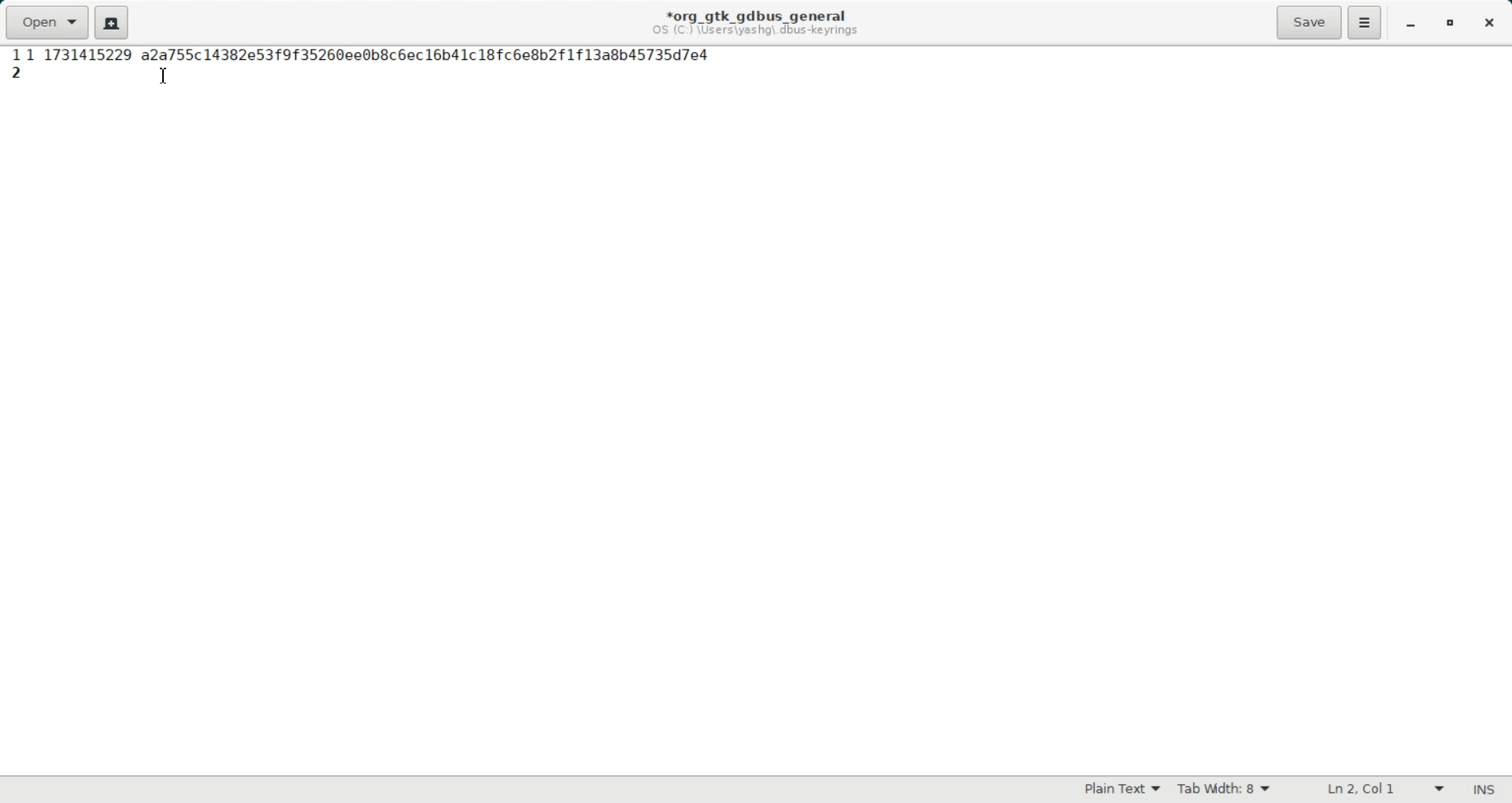 This screenshot has width=1512, height=803. What do you see at coordinates (368, 54) in the screenshot?
I see `highlighted text` at bounding box center [368, 54].